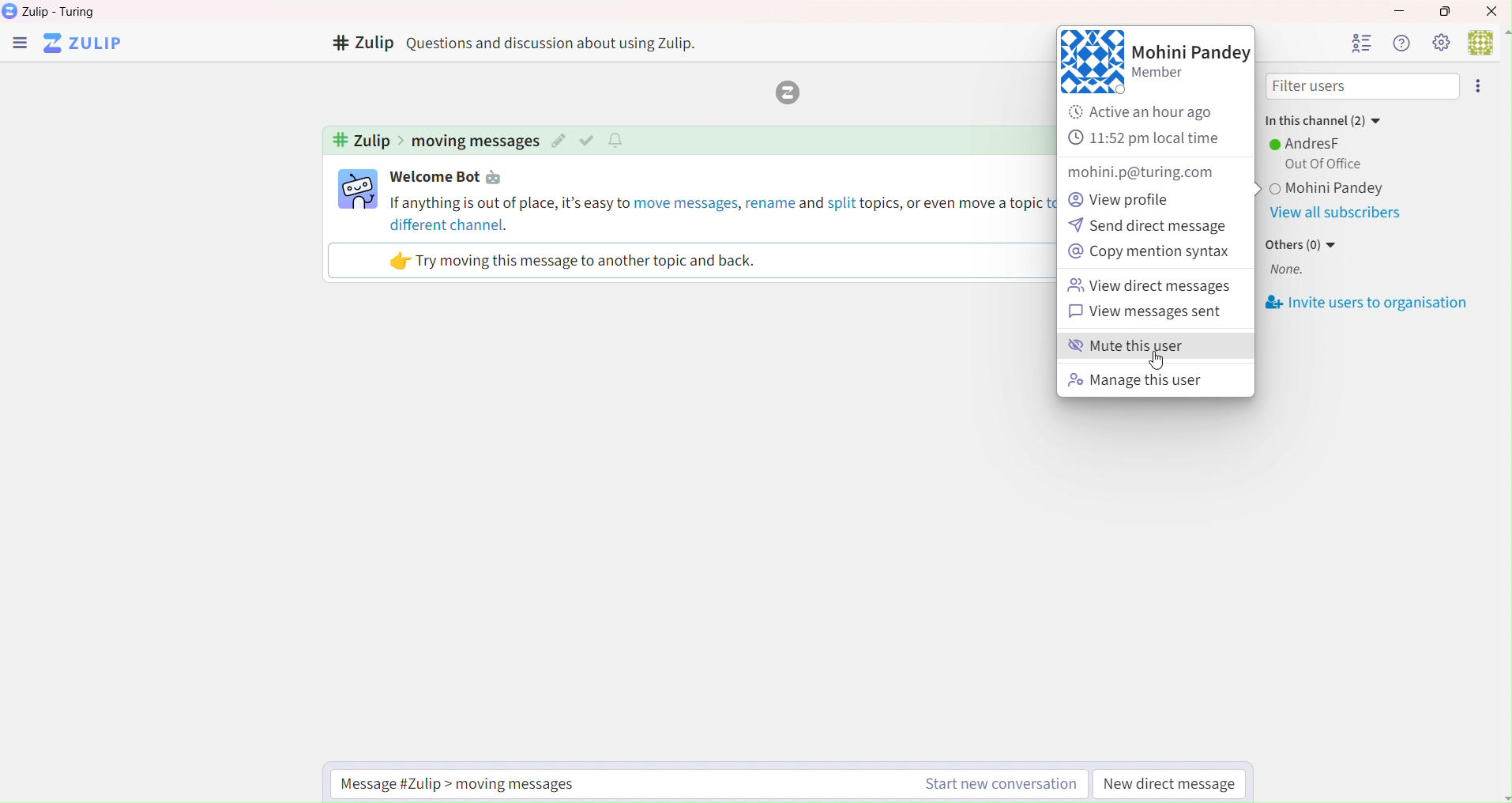  What do you see at coordinates (1360, 43) in the screenshot?
I see `Users` at bounding box center [1360, 43].